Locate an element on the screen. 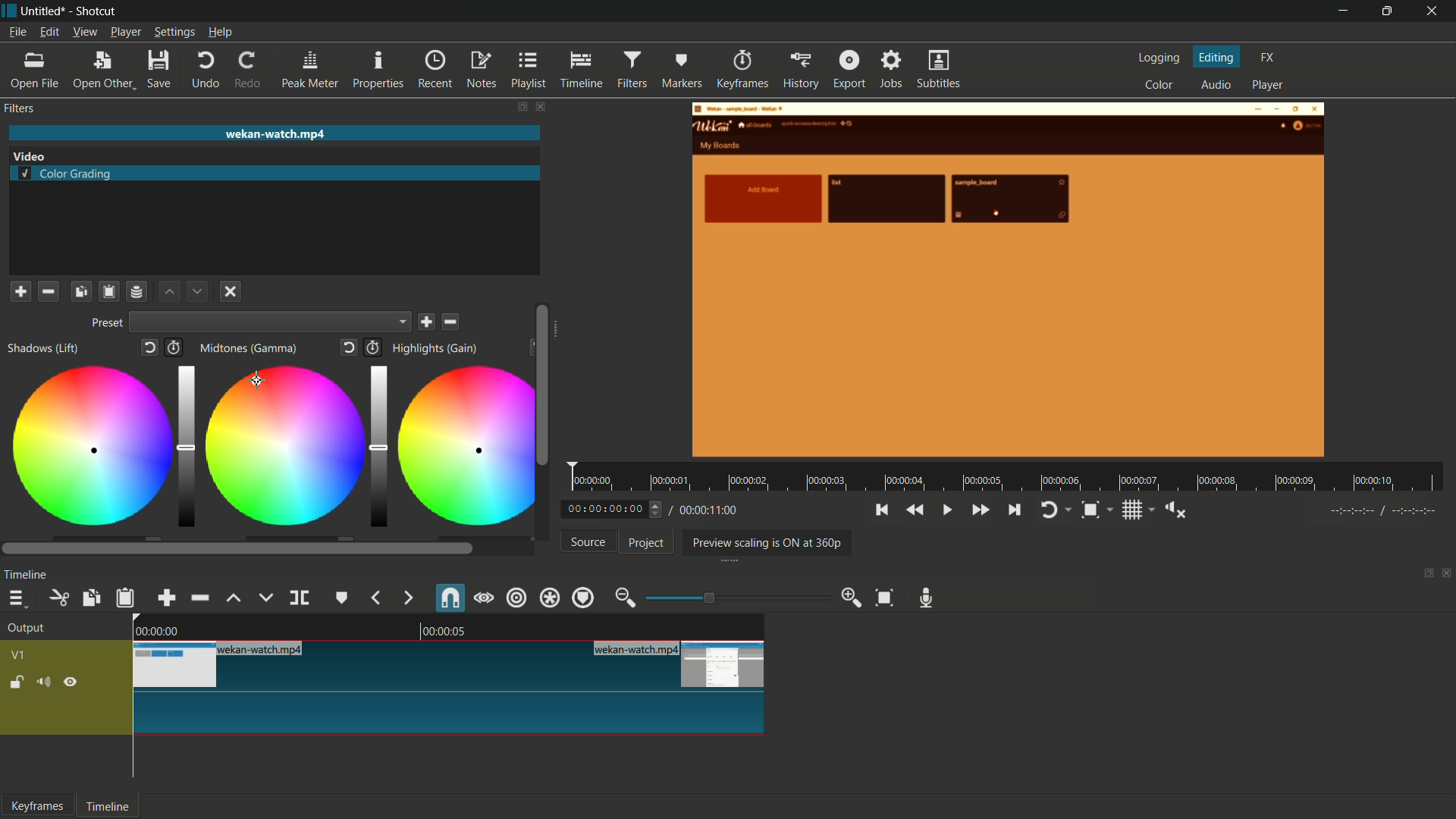  ripple delete is located at coordinates (198, 598).